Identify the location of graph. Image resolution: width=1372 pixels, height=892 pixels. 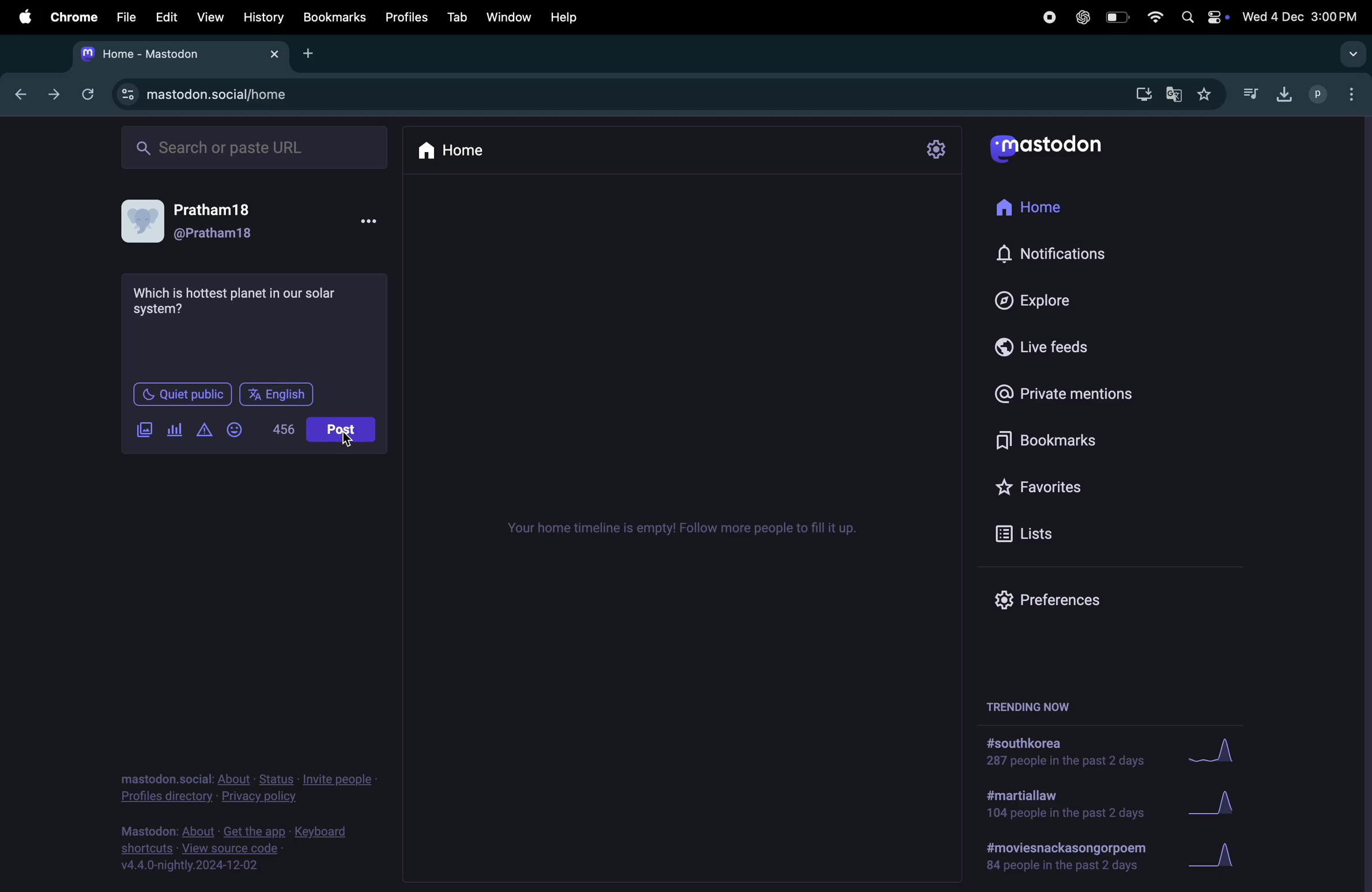
(1213, 749).